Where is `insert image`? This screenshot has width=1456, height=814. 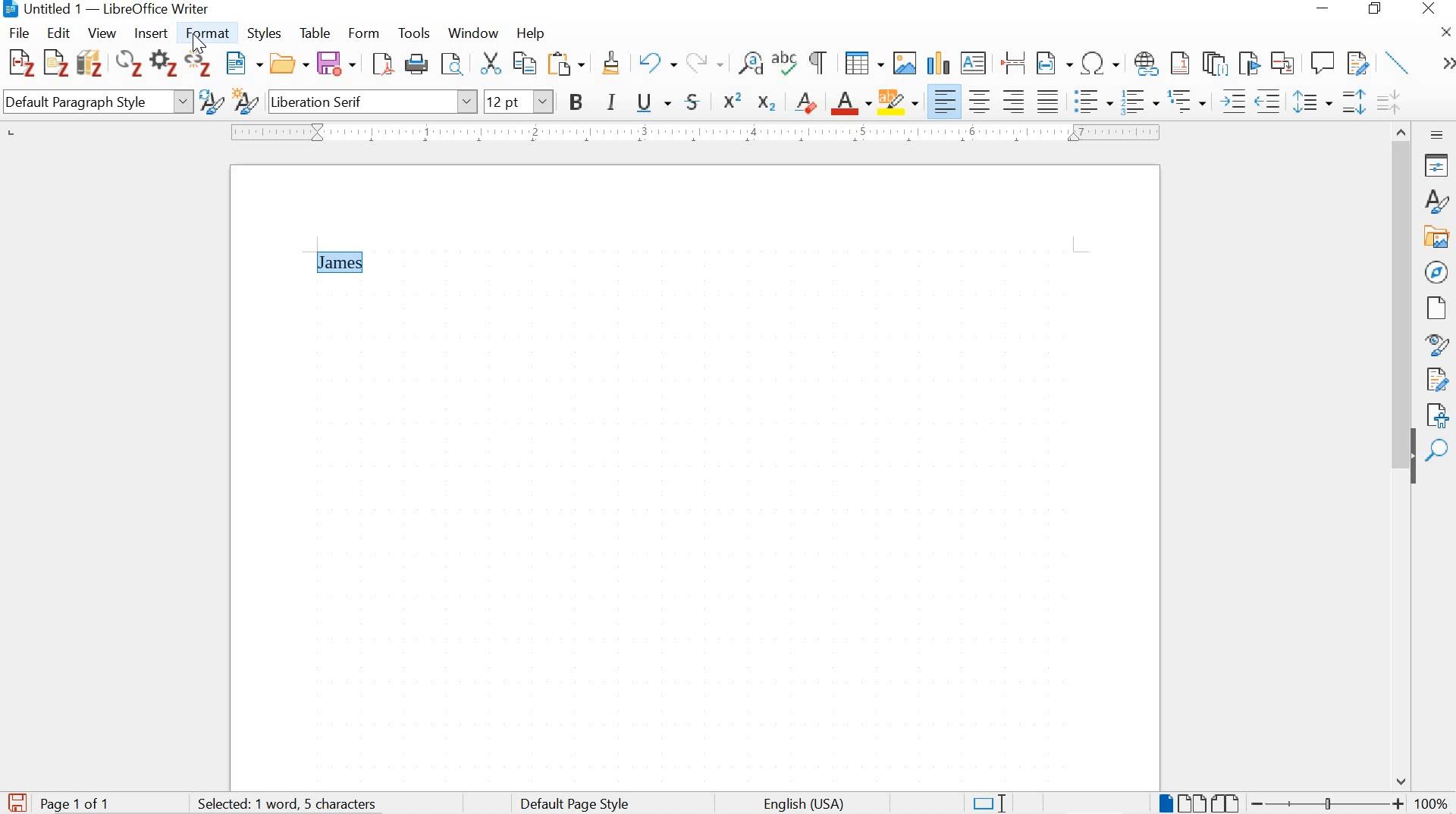 insert image is located at coordinates (904, 62).